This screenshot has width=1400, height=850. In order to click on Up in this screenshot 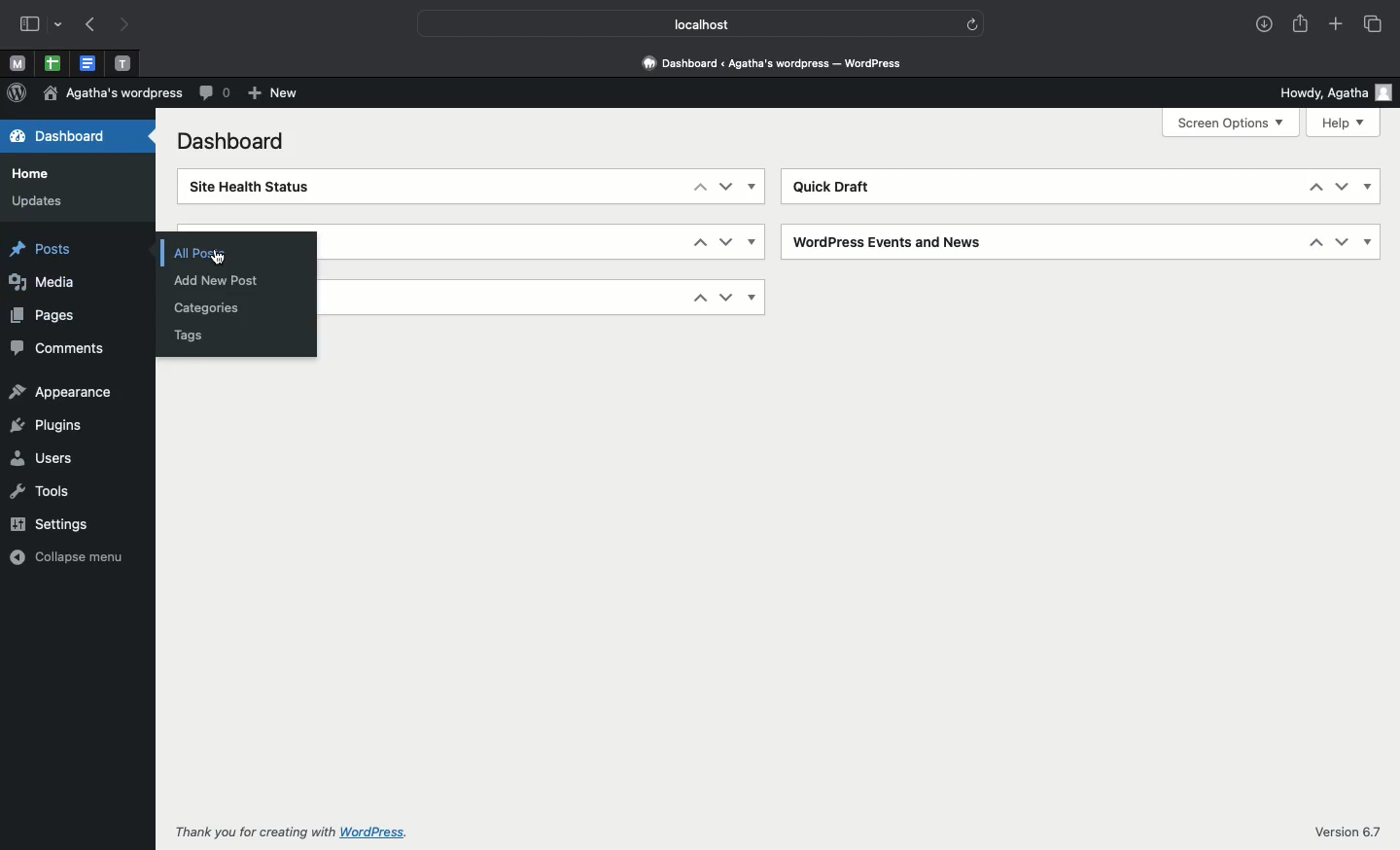, I will do `click(699, 185)`.